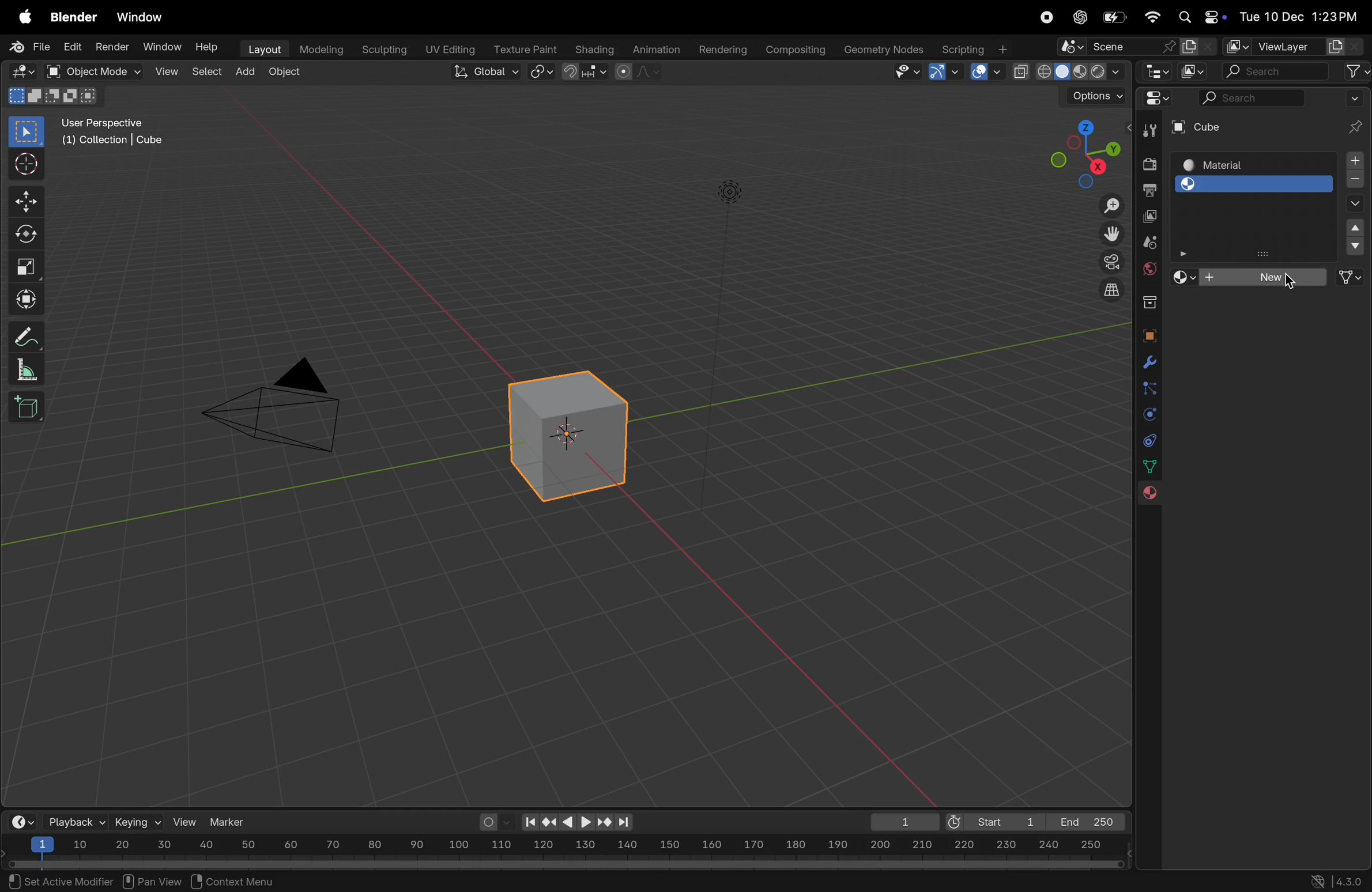 This screenshot has height=892, width=1372. I want to click on select, so click(28, 132).